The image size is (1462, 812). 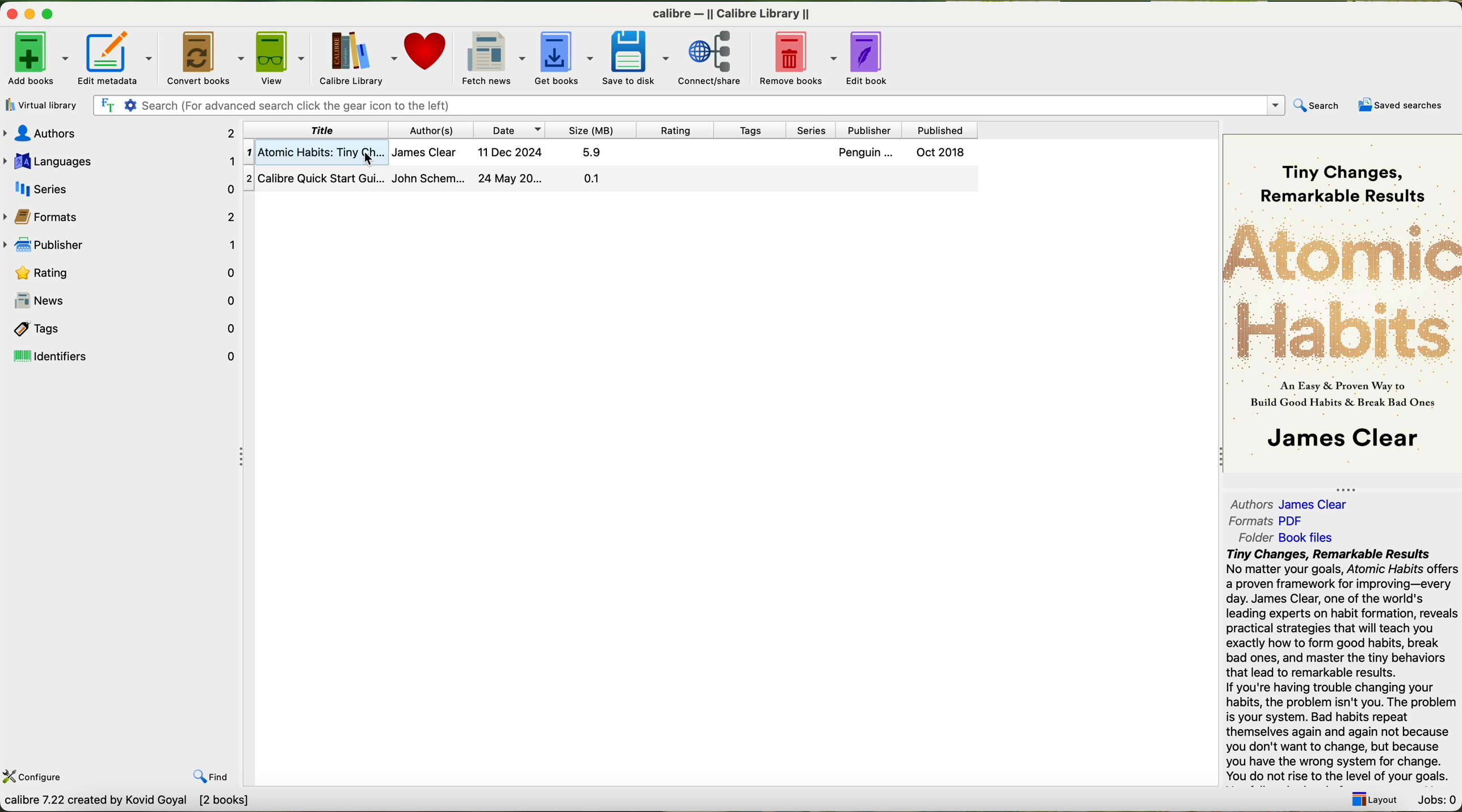 I want to click on layout, so click(x=1378, y=800).